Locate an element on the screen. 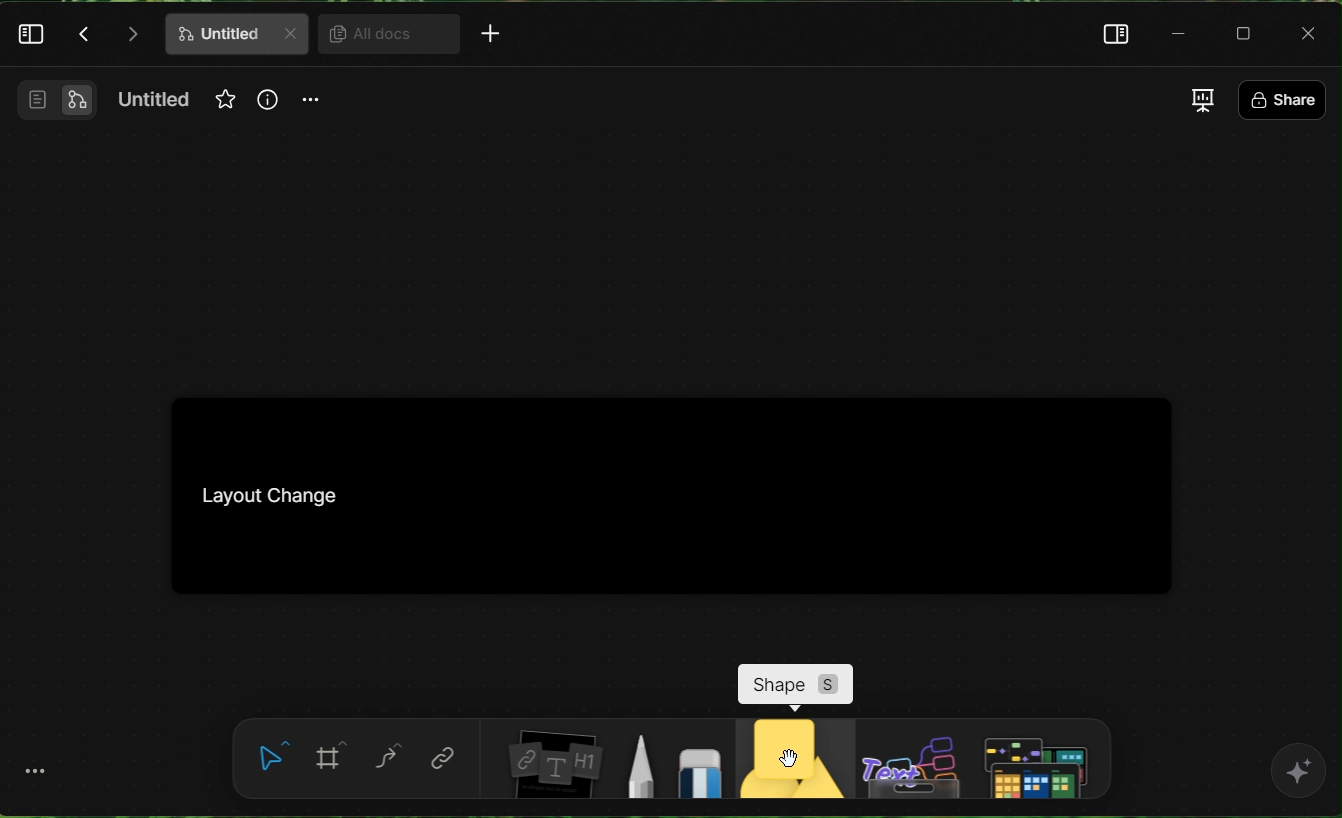 The image size is (1342, 818). Change view is located at coordinates (1201, 100).